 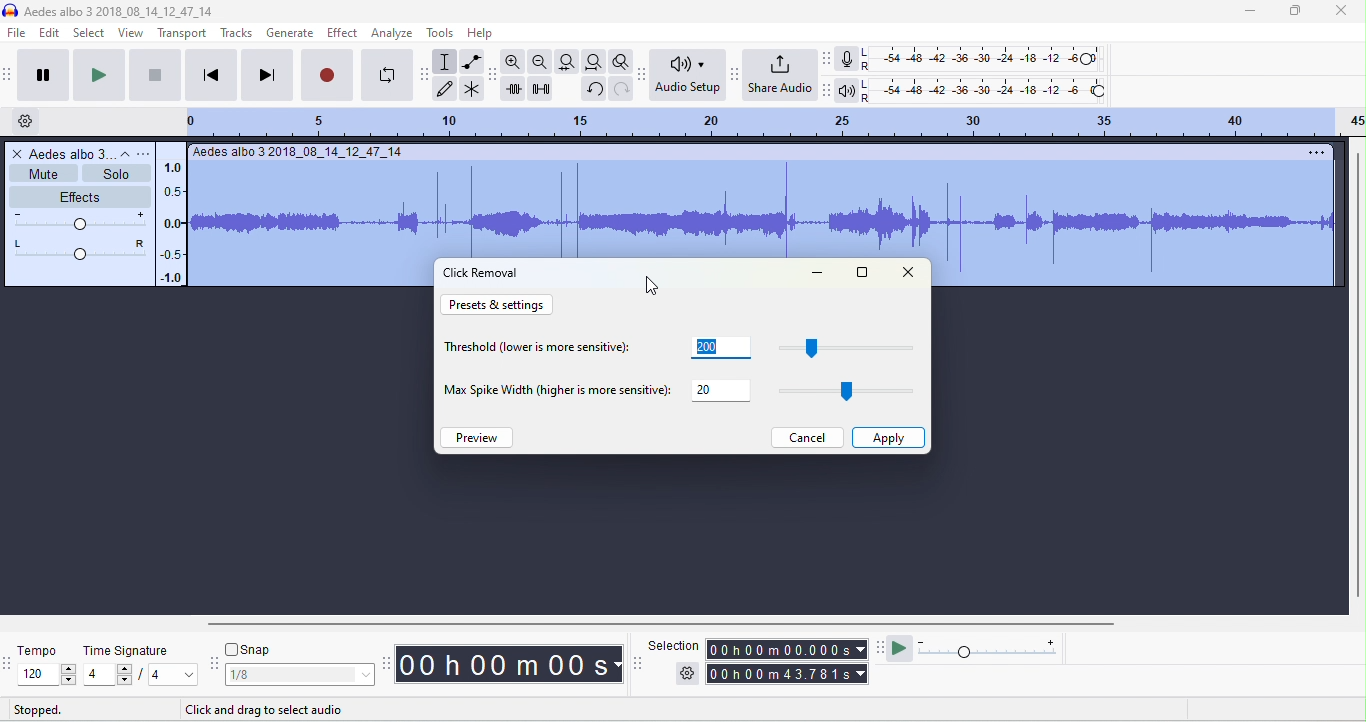 What do you see at coordinates (9, 662) in the screenshot?
I see `tempo toolbar` at bounding box center [9, 662].